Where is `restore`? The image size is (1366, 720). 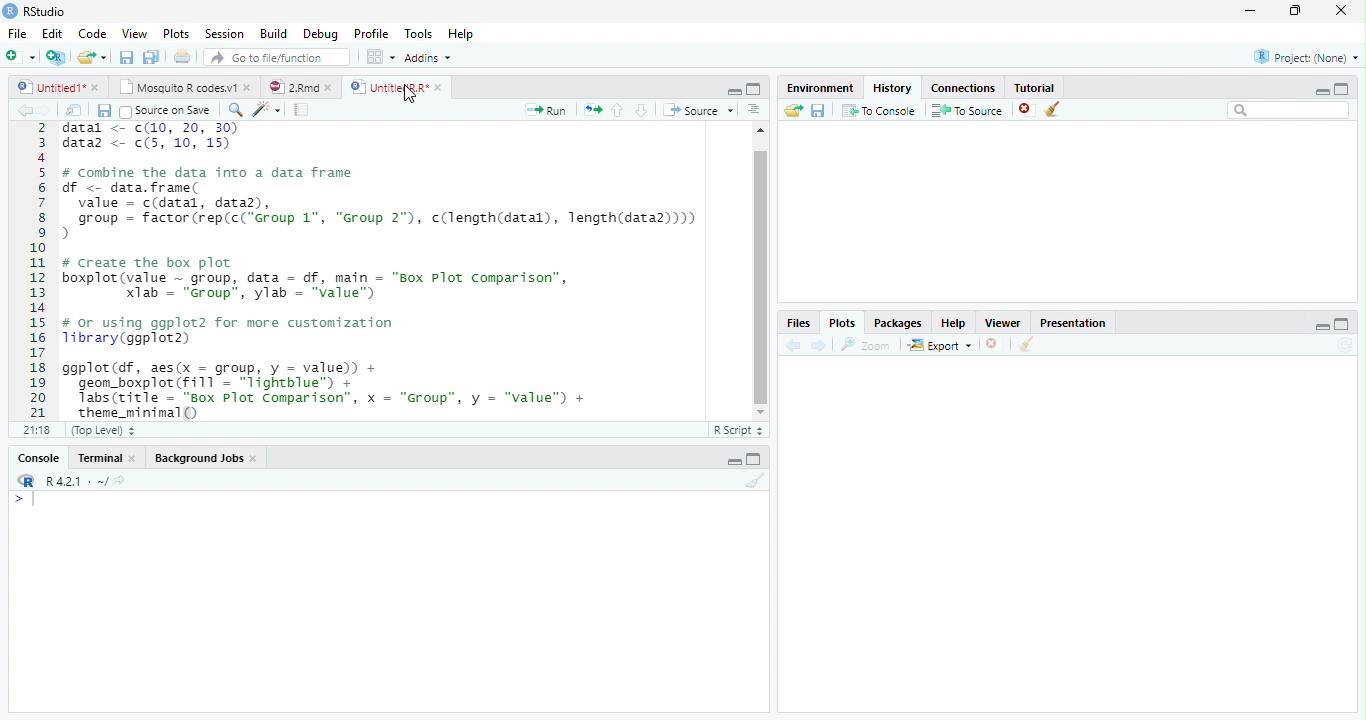 restore is located at coordinates (1295, 11).